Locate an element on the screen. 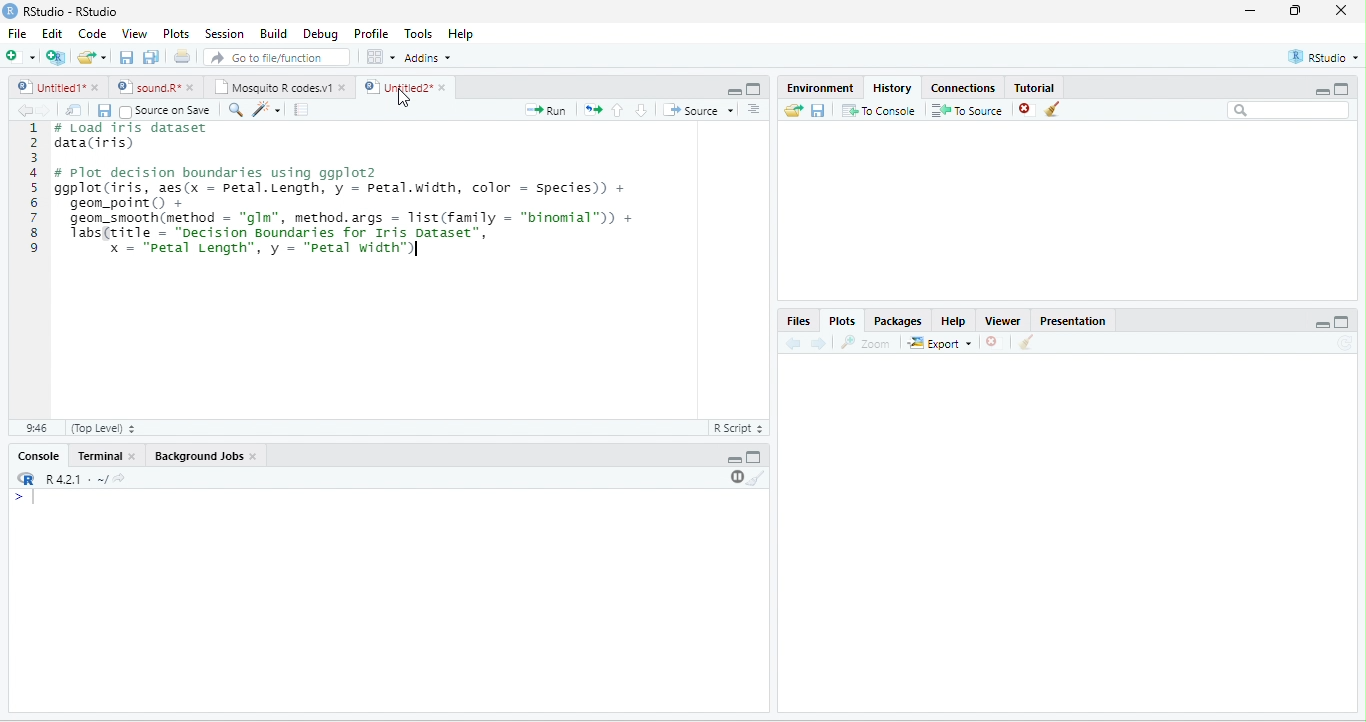 This screenshot has height=722, width=1366. Debug is located at coordinates (324, 35).